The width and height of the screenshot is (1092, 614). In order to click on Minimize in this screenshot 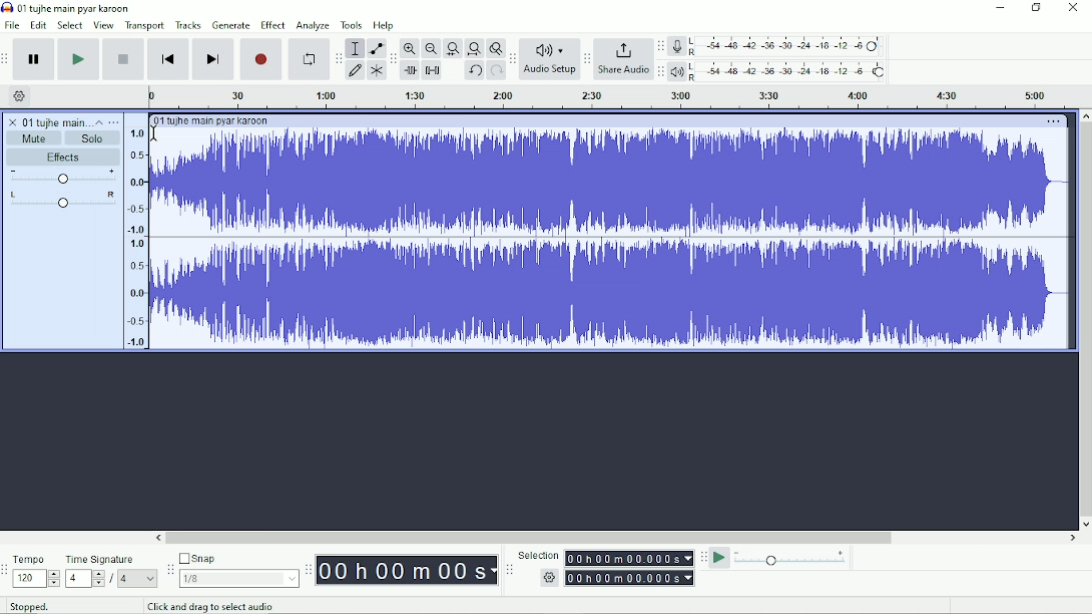, I will do `click(998, 8)`.